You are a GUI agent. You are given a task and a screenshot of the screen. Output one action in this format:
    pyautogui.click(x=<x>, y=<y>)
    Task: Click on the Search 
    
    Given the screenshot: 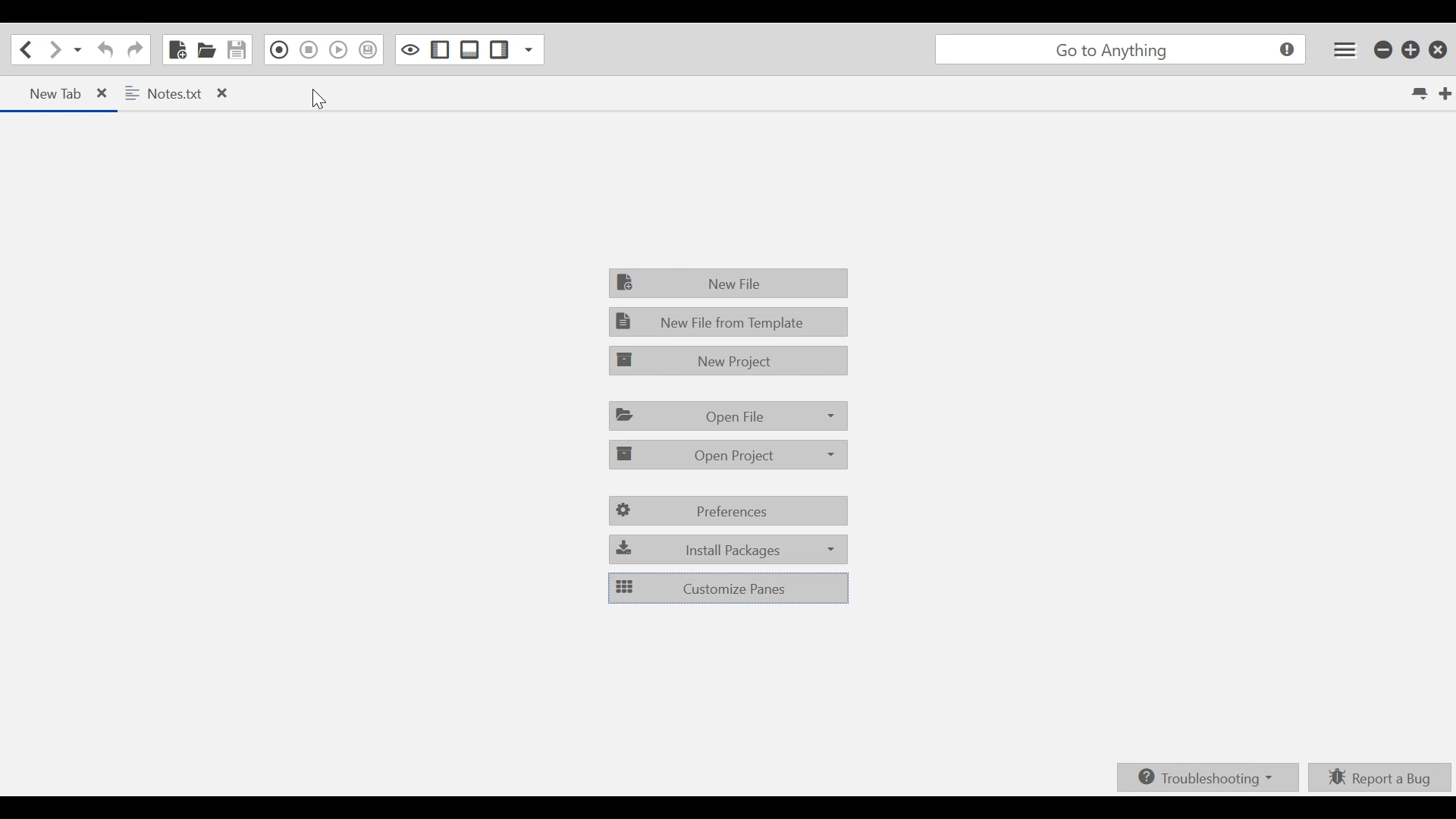 What is the action you would take?
    pyautogui.click(x=1120, y=49)
    